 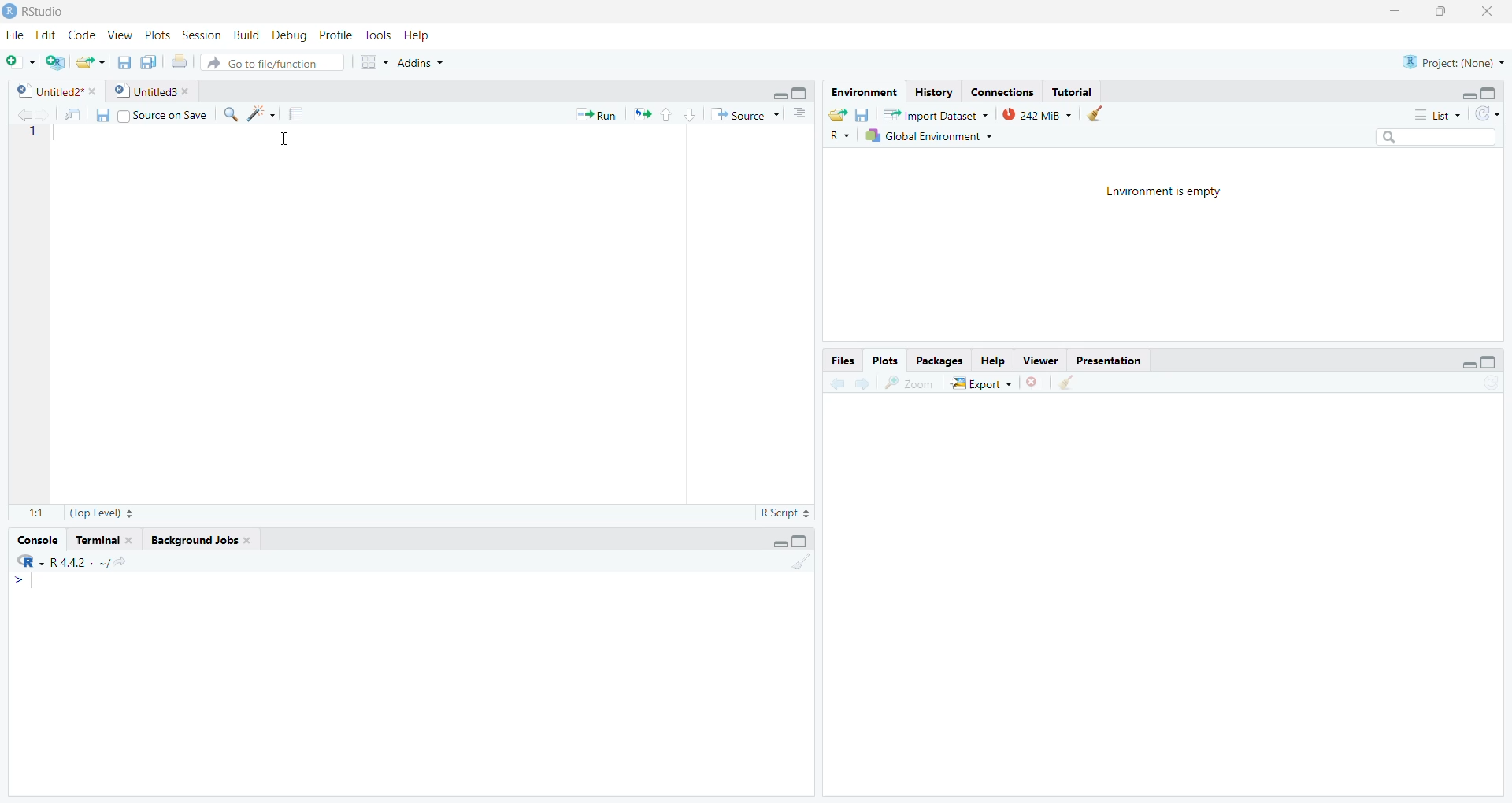 What do you see at coordinates (862, 93) in the screenshot?
I see `Environment` at bounding box center [862, 93].